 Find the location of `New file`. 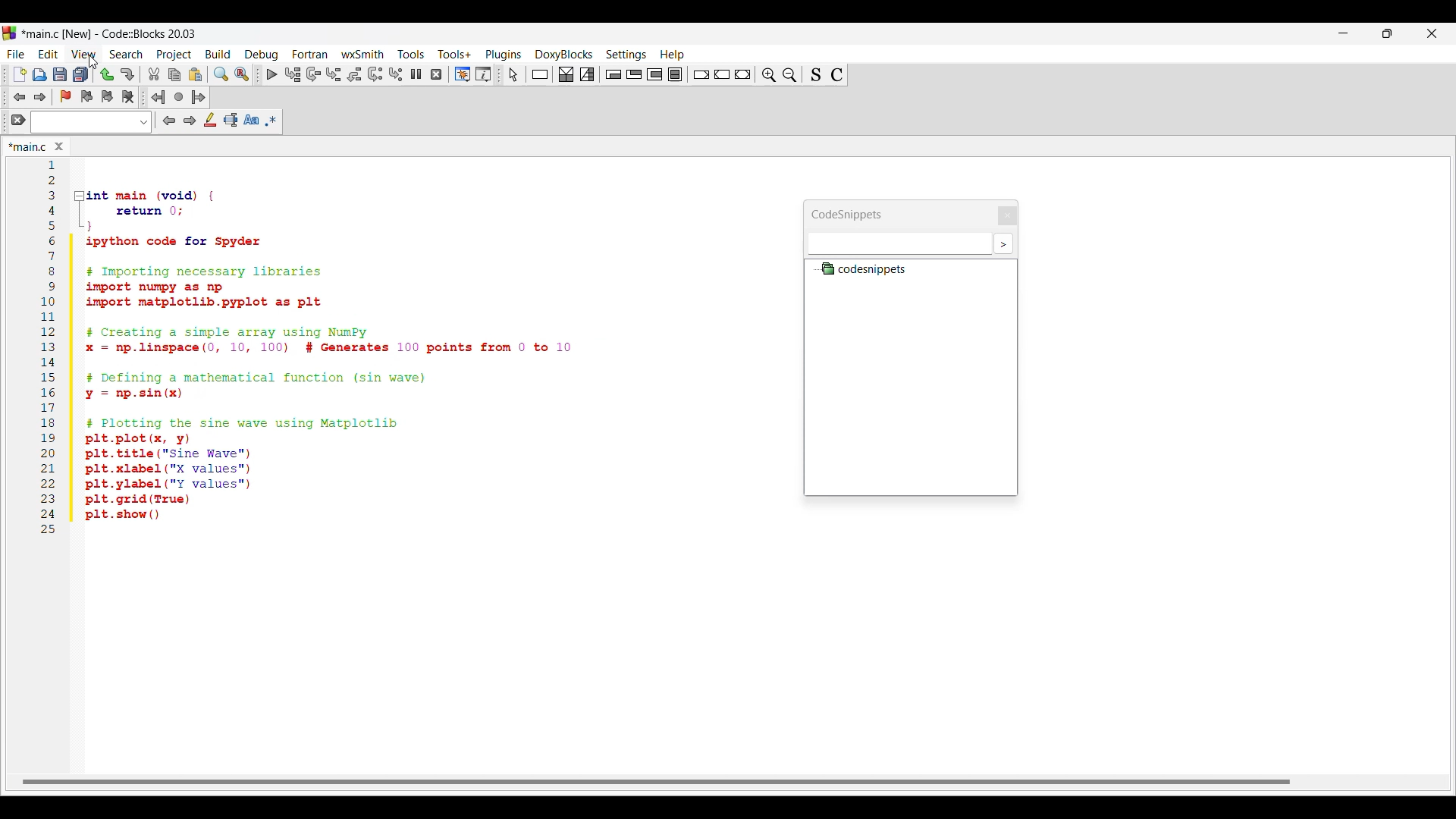

New file is located at coordinates (20, 74).